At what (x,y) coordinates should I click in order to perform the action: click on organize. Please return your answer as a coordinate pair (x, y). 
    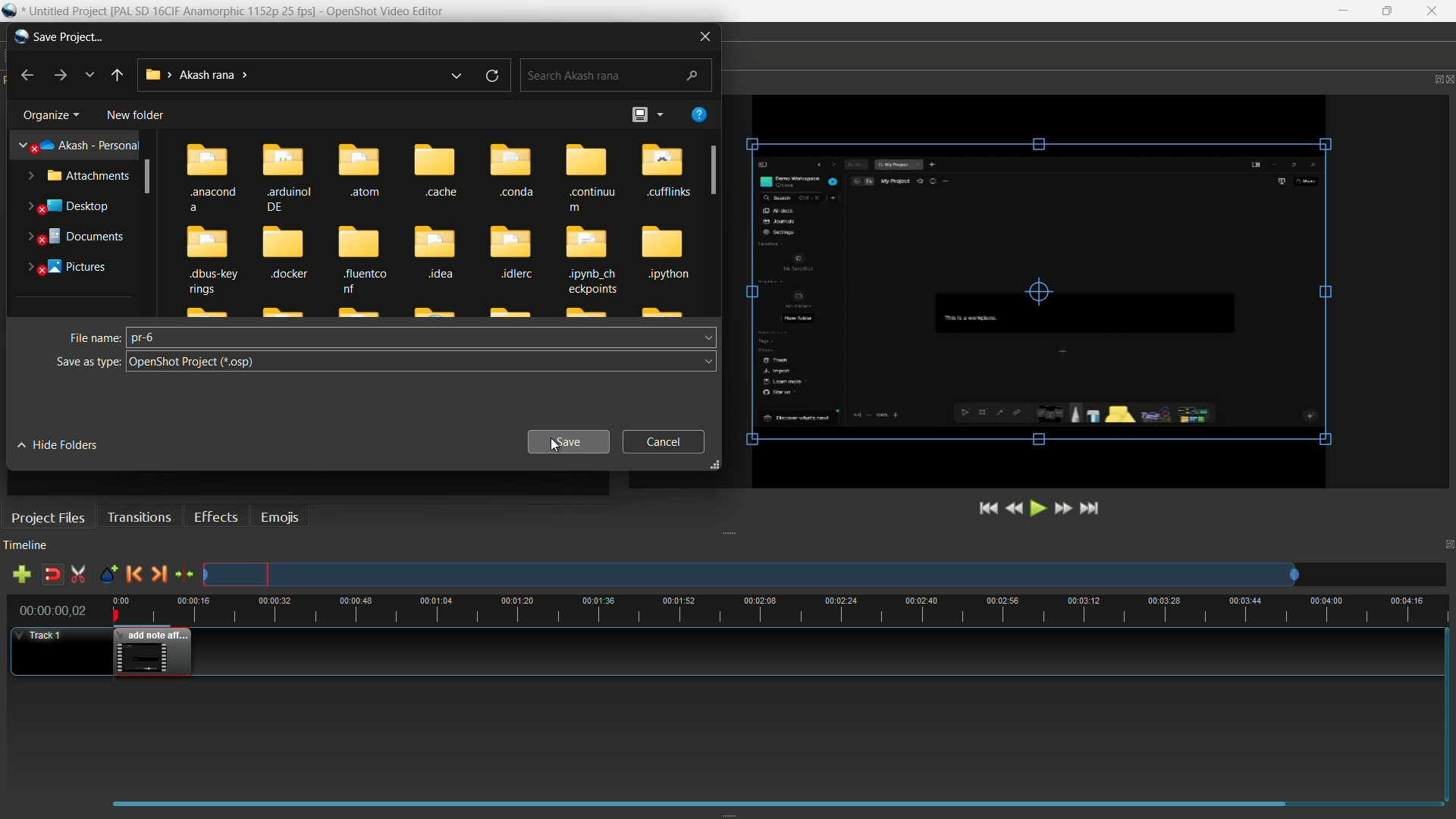
    Looking at the image, I should click on (48, 115).